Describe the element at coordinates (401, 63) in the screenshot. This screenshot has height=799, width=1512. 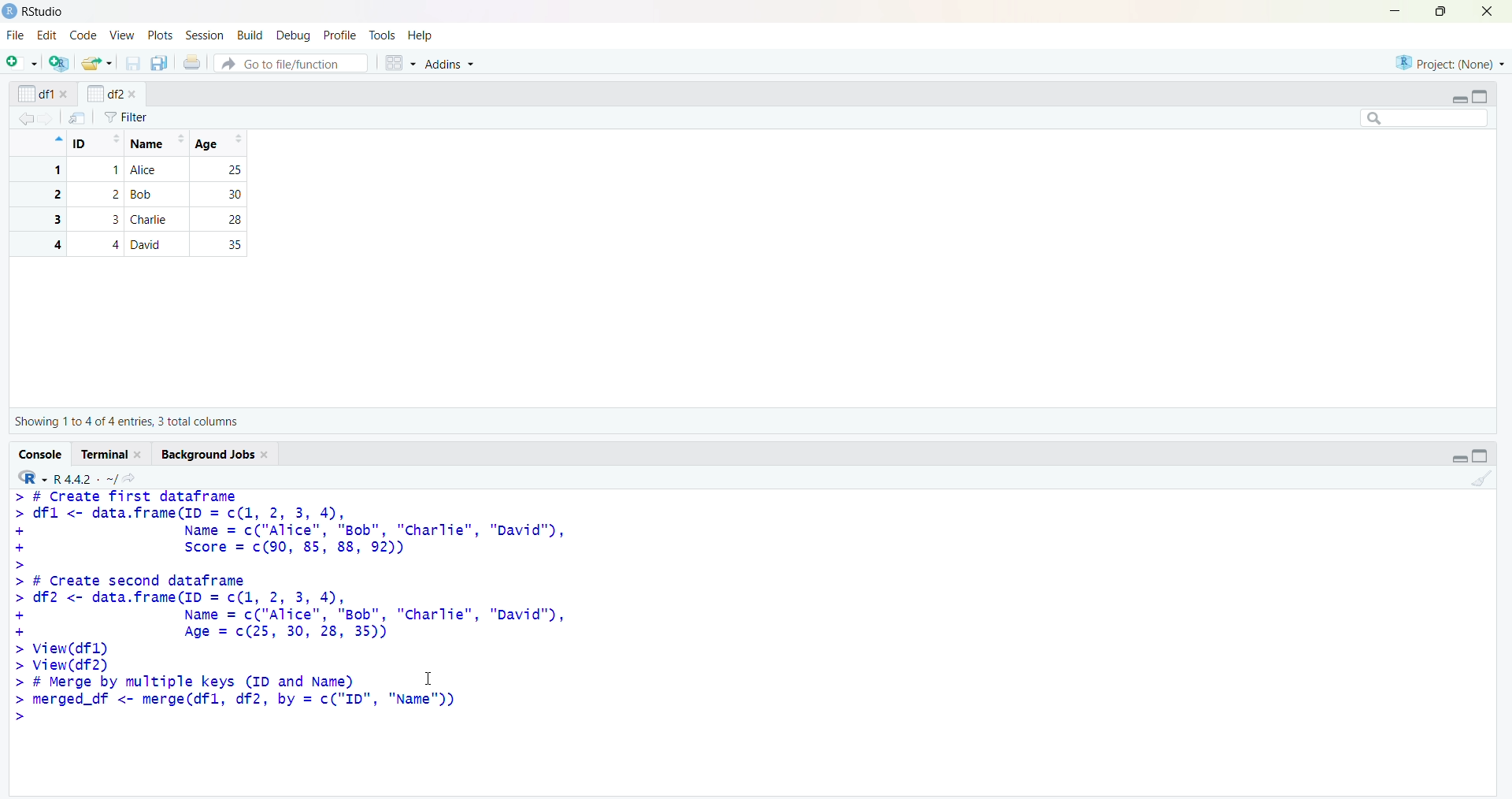
I see `grid` at that location.